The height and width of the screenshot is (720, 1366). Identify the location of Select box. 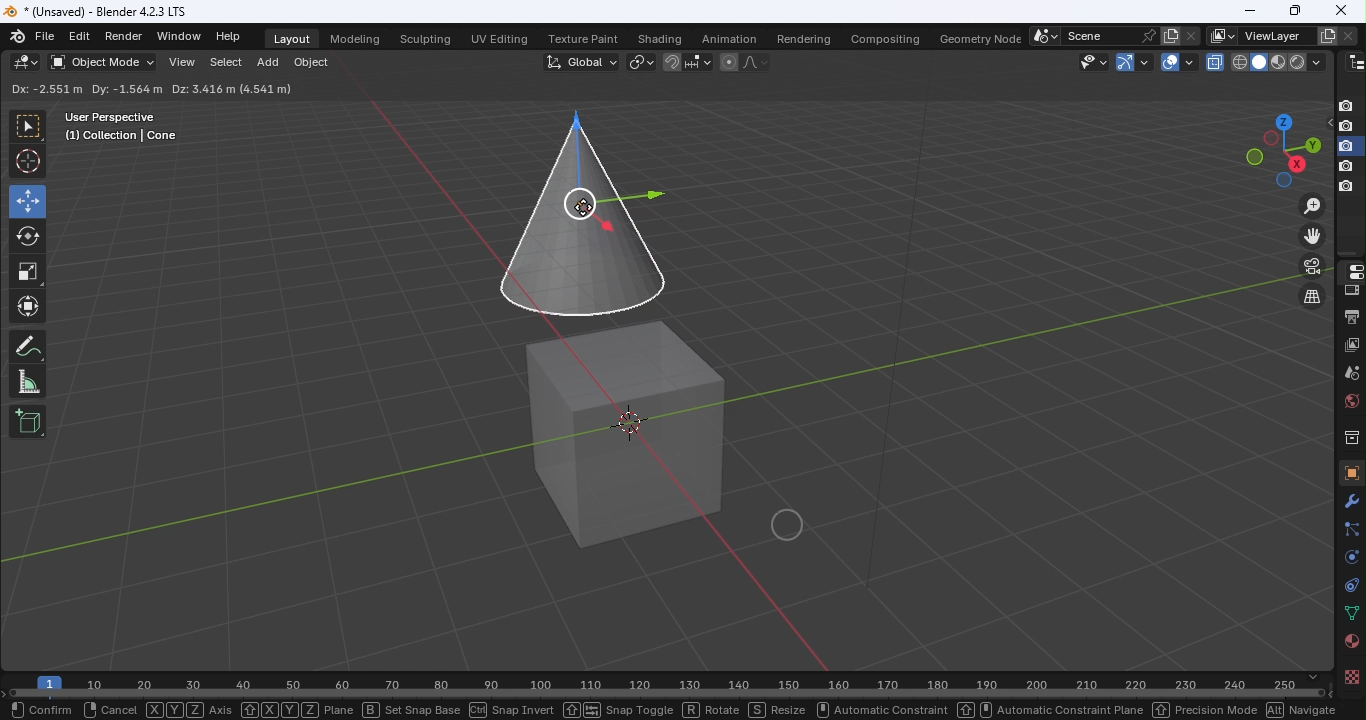
(27, 127).